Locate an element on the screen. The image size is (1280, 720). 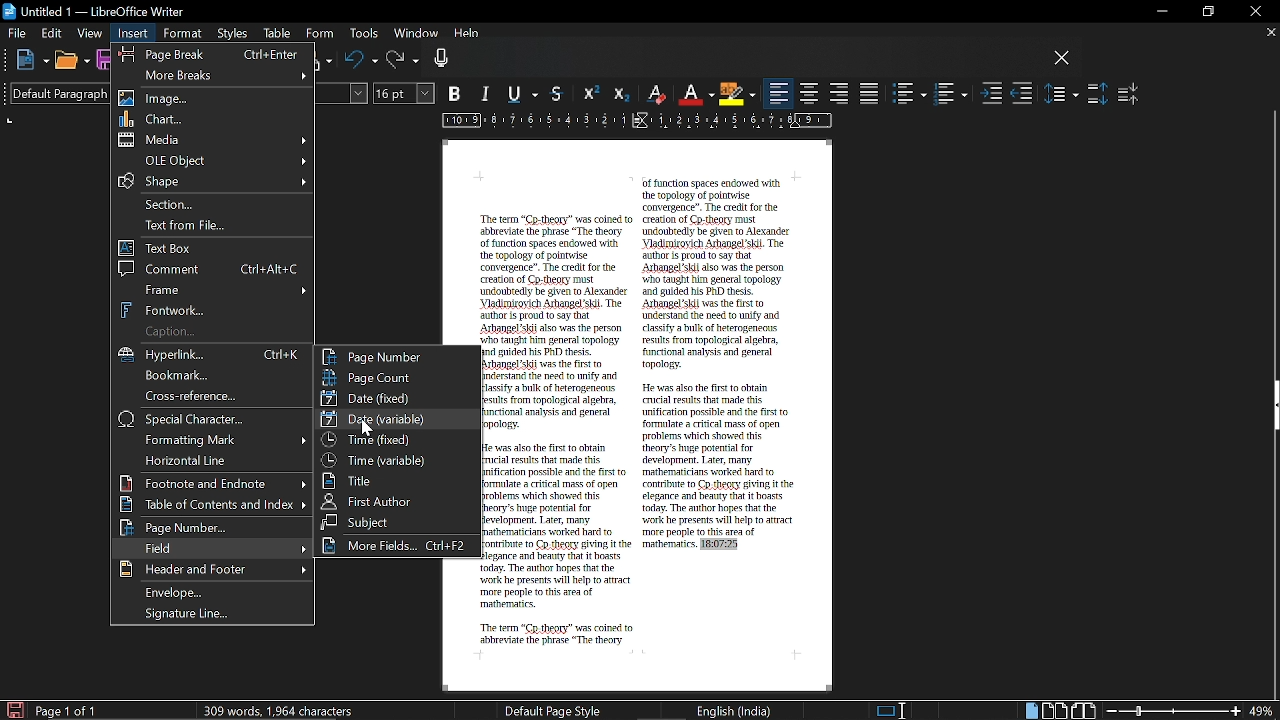
Insert is located at coordinates (134, 34).